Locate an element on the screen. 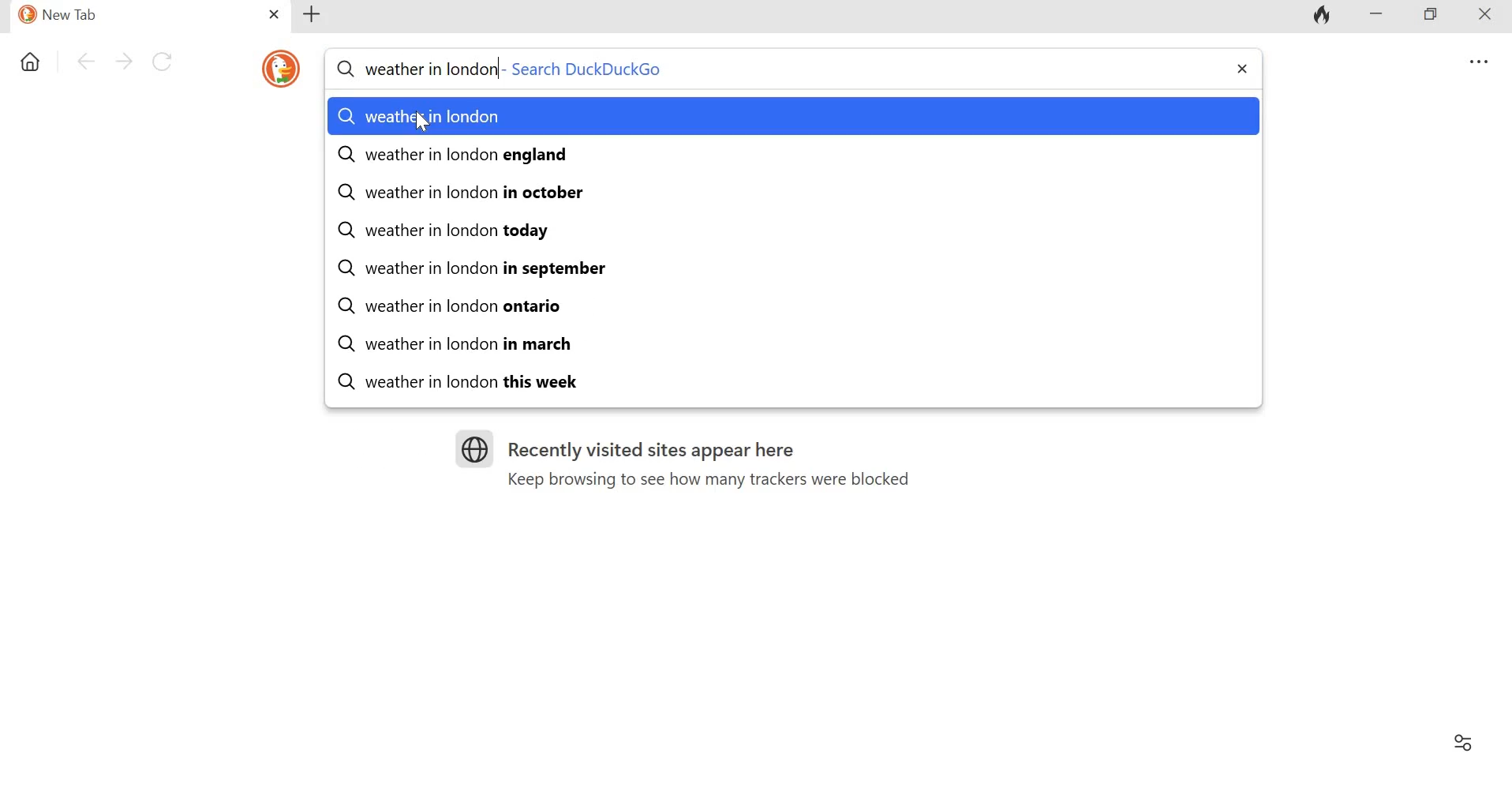 This screenshot has width=1512, height=791. duckduckgo icon is located at coordinates (281, 69).